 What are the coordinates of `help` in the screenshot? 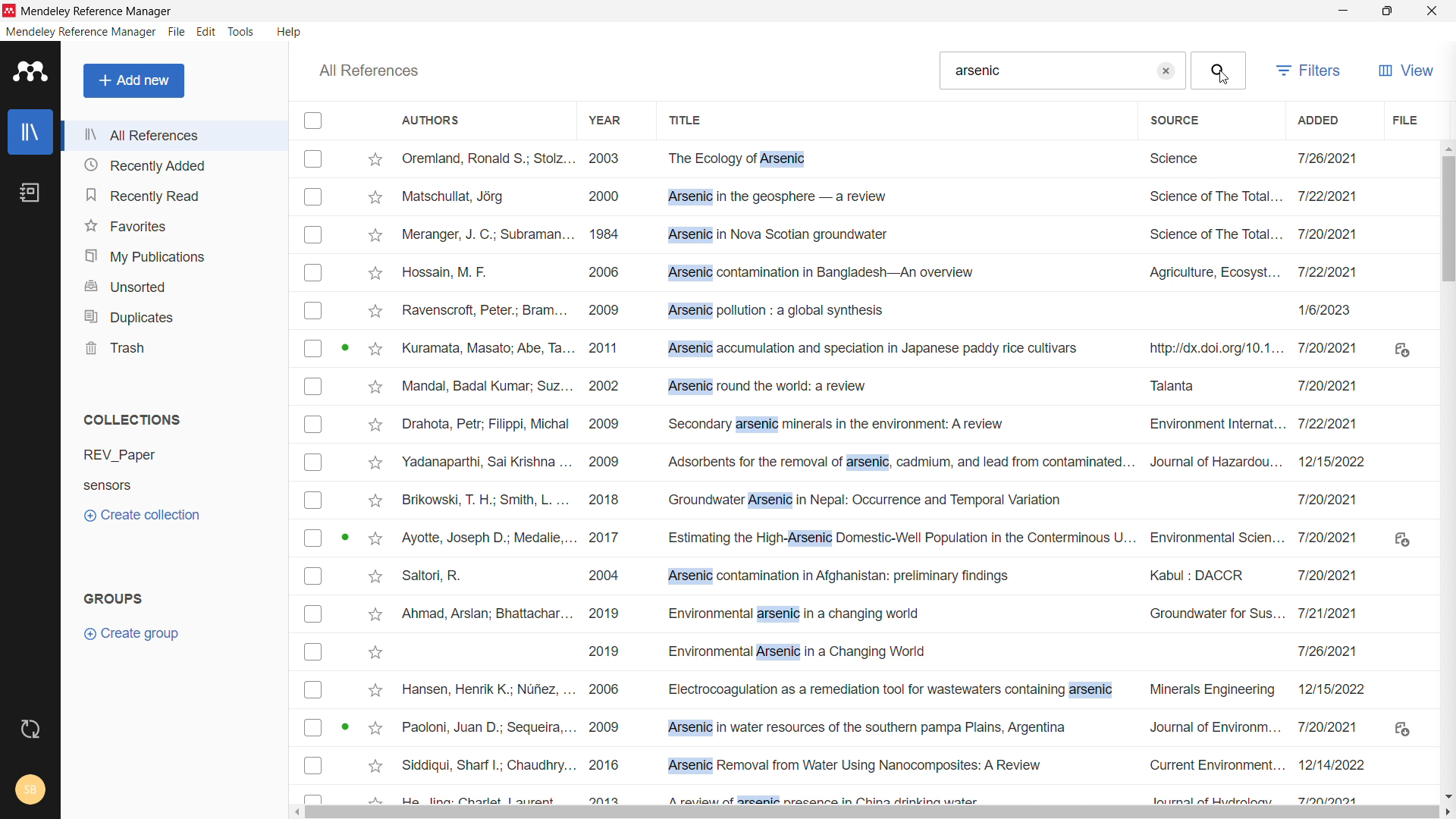 It's located at (290, 33).